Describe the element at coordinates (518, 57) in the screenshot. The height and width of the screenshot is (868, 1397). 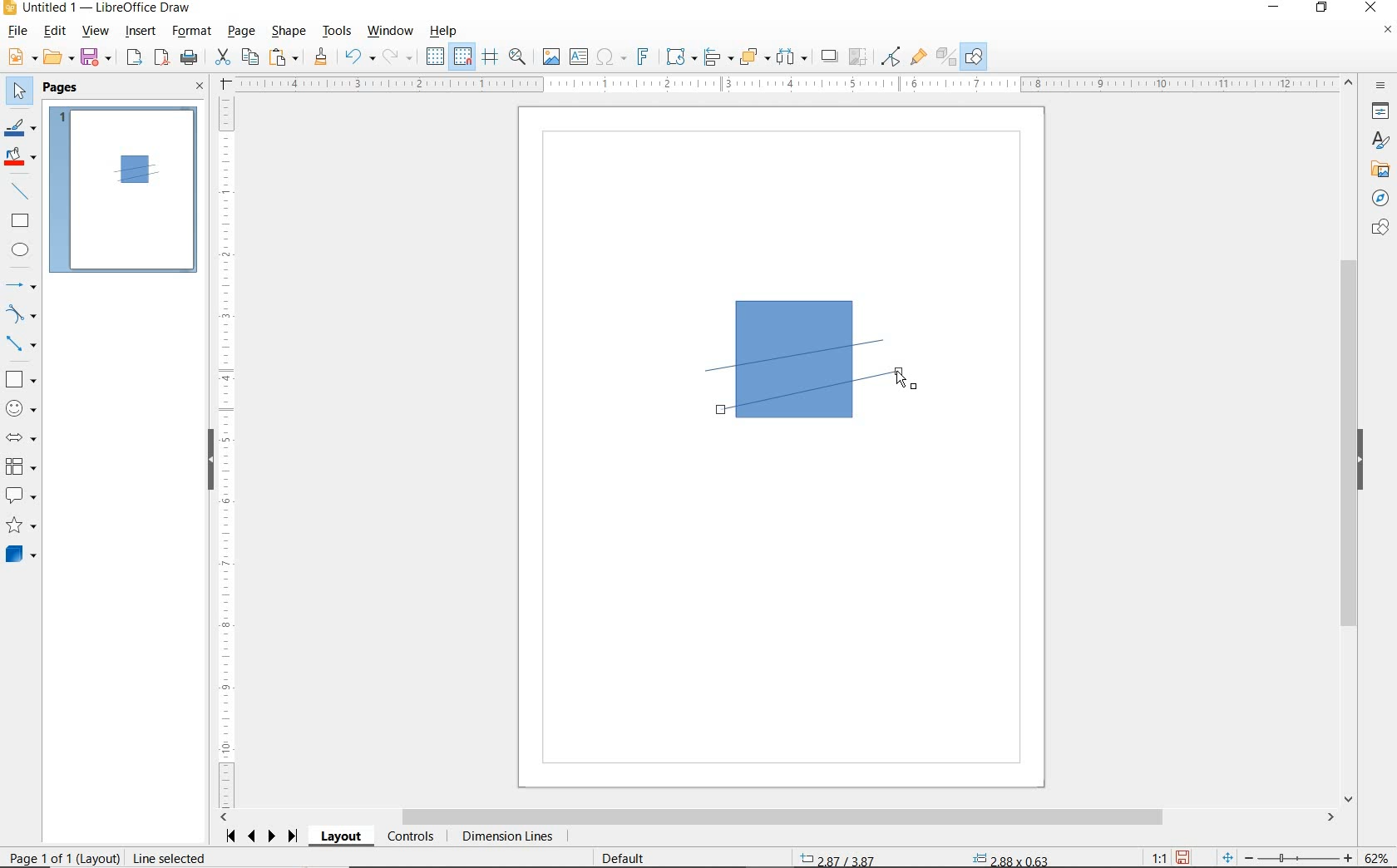
I see `ZOOM & PAN` at that location.